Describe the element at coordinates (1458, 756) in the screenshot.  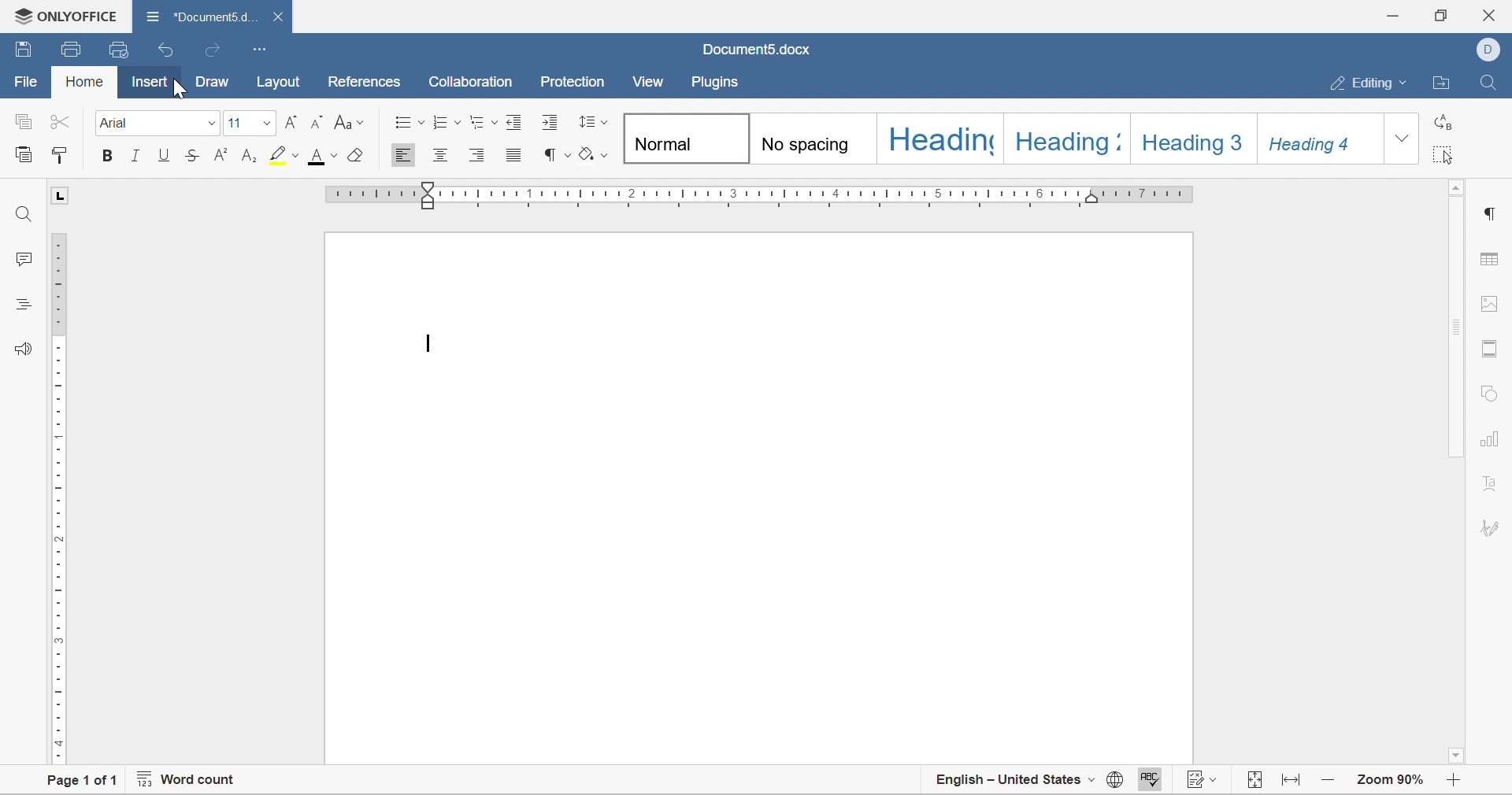
I see `scroll down` at that location.